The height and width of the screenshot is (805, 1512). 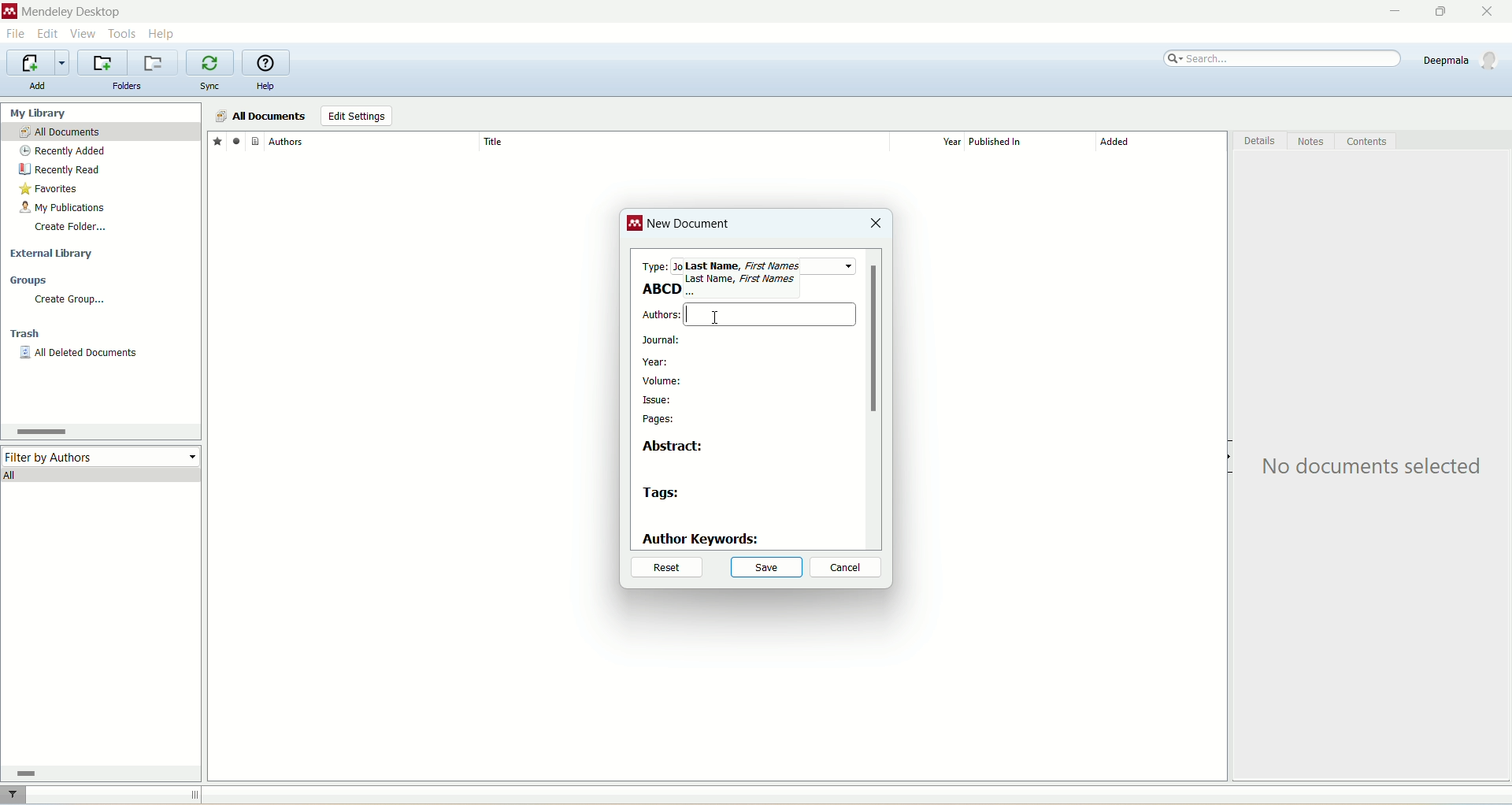 What do you see at coordinates (102, 63) in the screenshot?
I see `create a new folder` at bounding box center [102, 63].